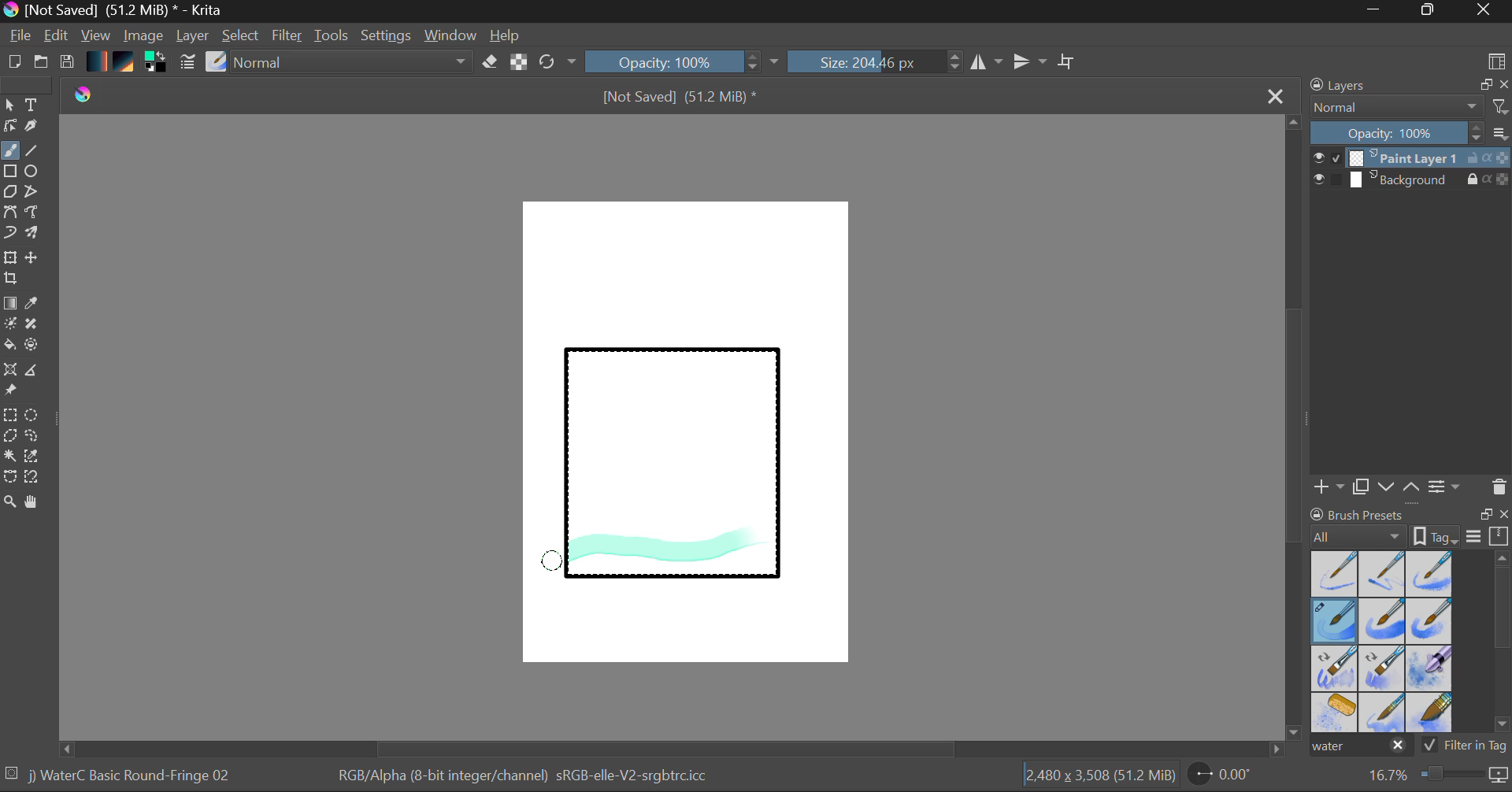  I want to click on Settings, so click(387, 35).